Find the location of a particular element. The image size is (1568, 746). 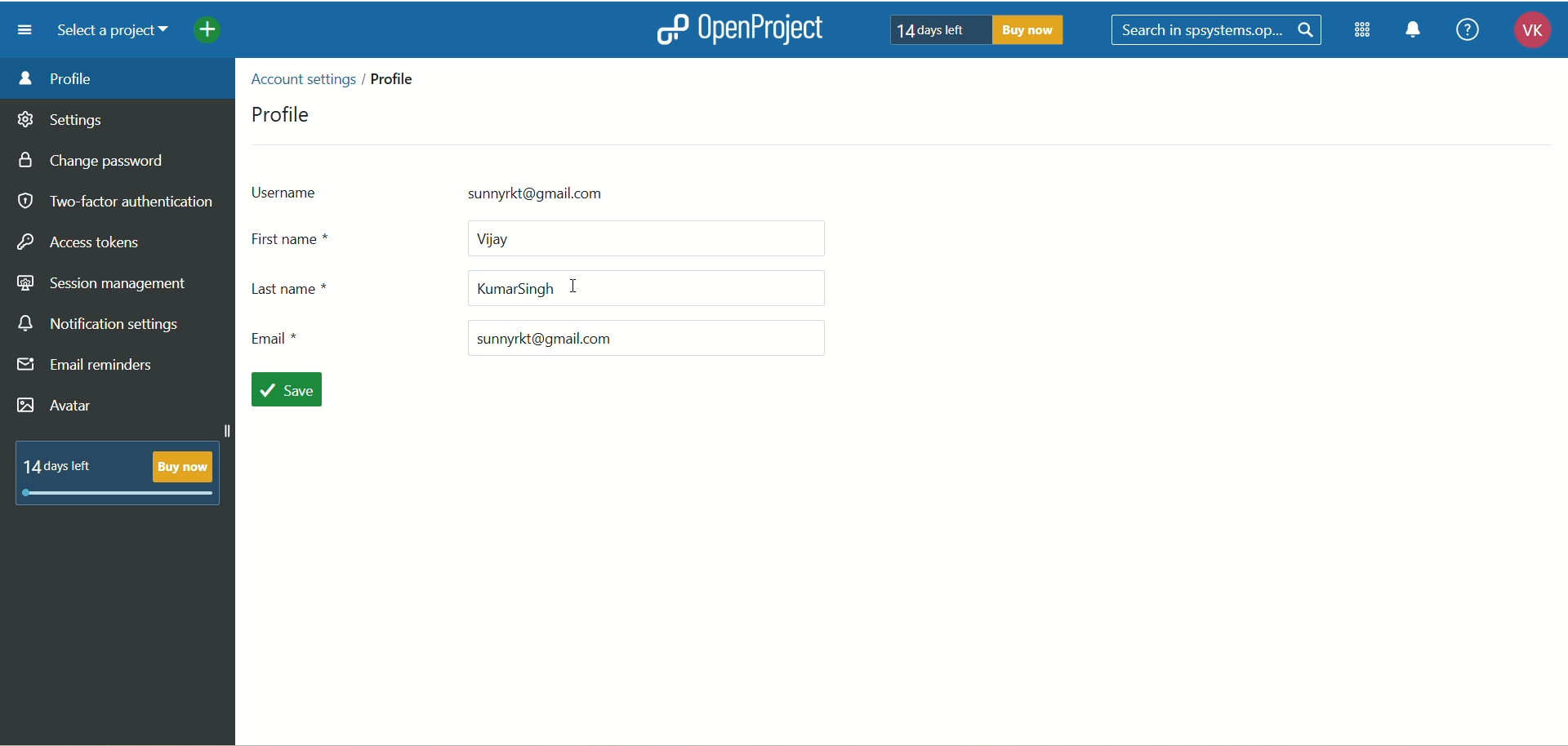

cursor is located at coordinates (575, 287).